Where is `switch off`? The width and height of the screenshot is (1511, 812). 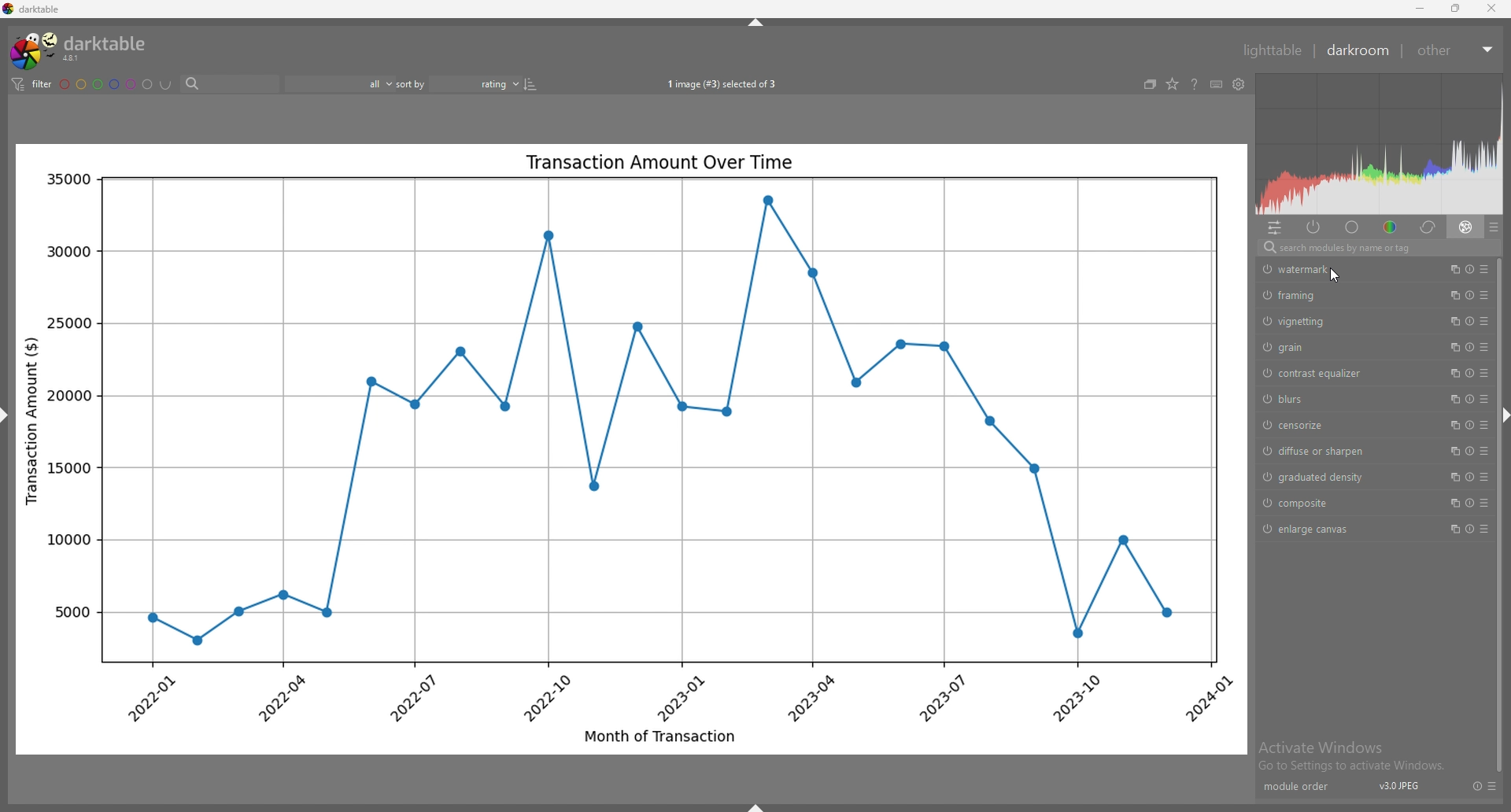
switch off is located at coordinates (1266, 451).